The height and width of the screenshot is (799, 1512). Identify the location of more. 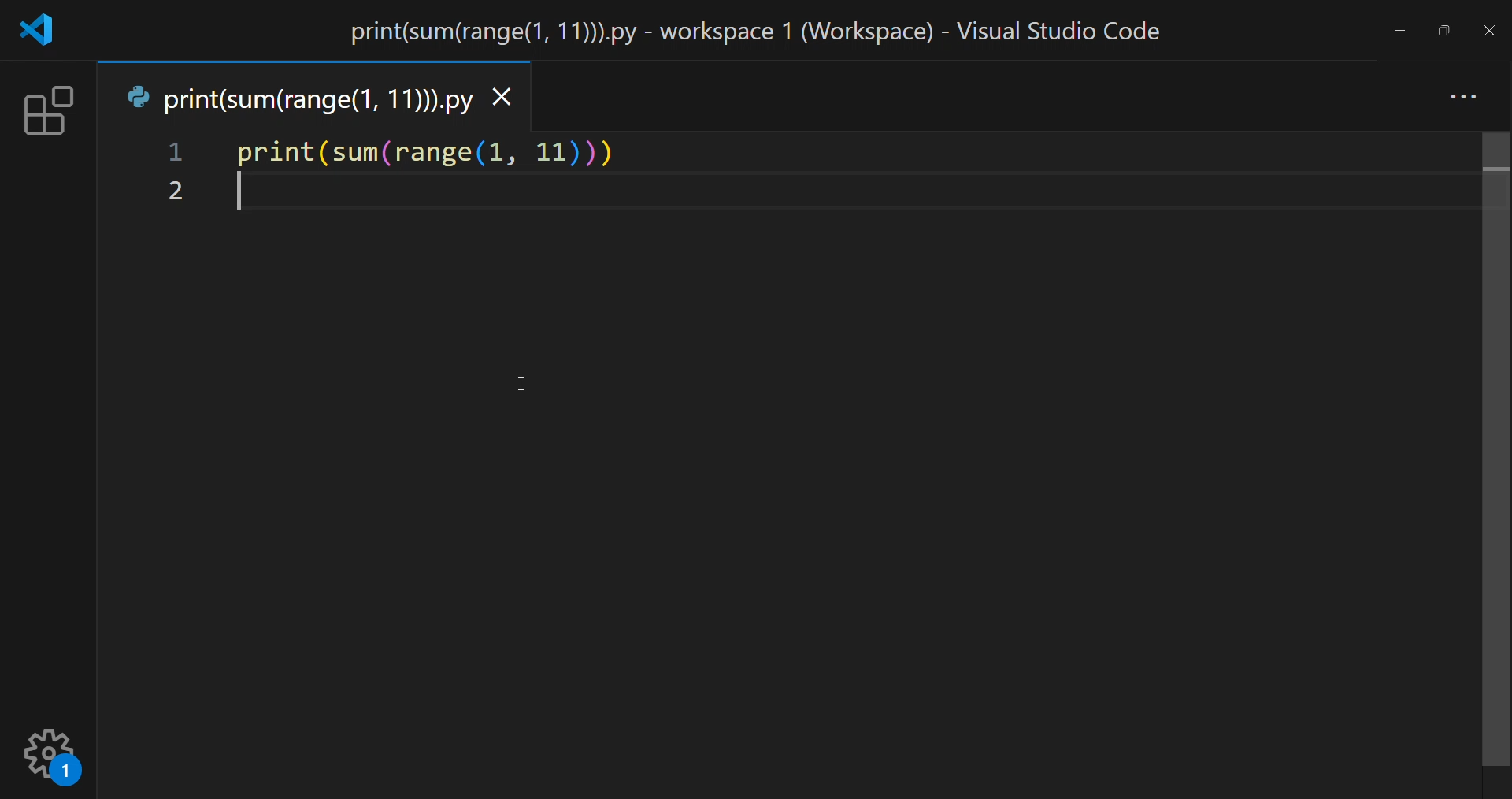
(1464, 95).